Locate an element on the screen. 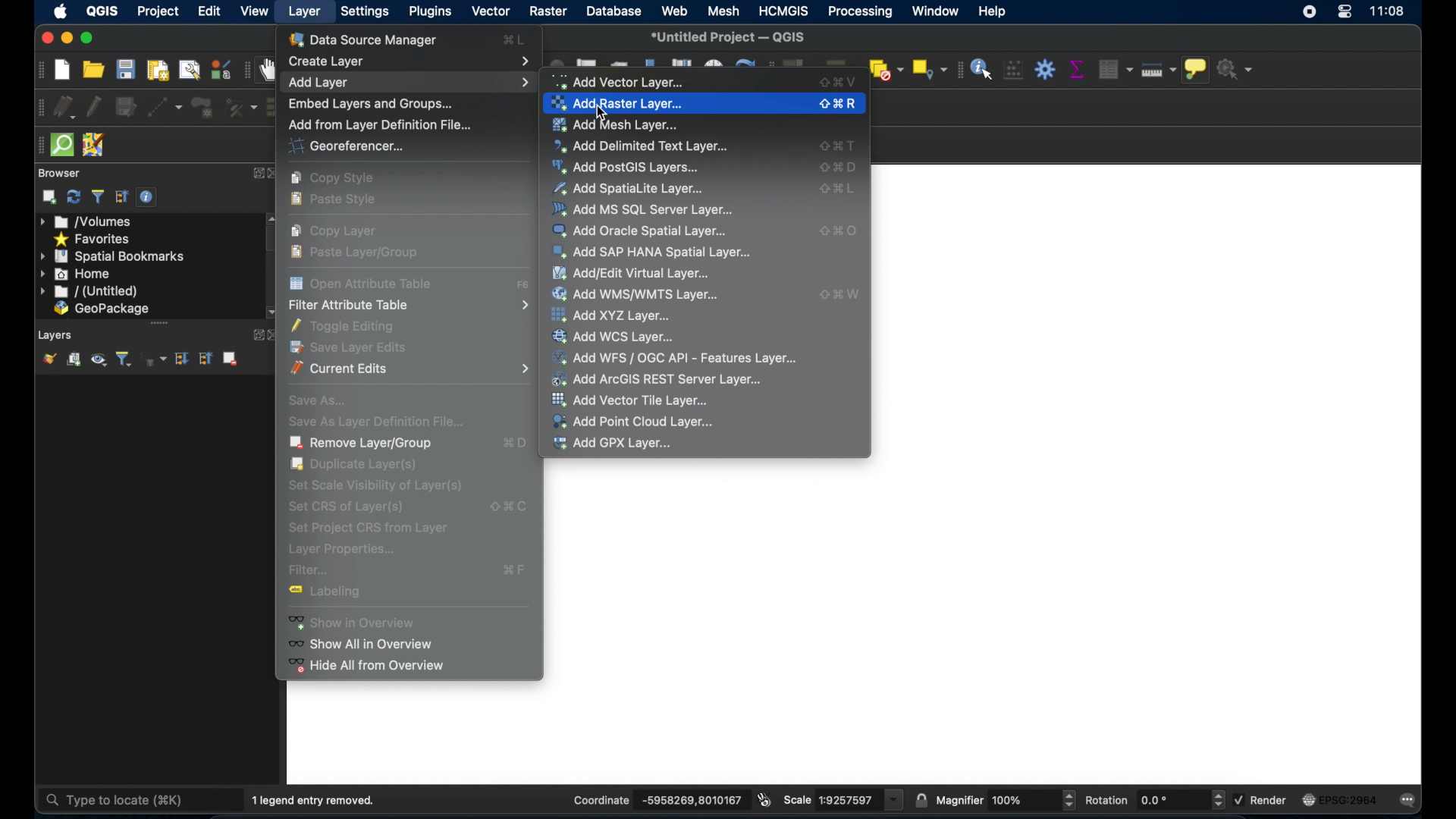  remove layer group is located at coordinates (362, 443).